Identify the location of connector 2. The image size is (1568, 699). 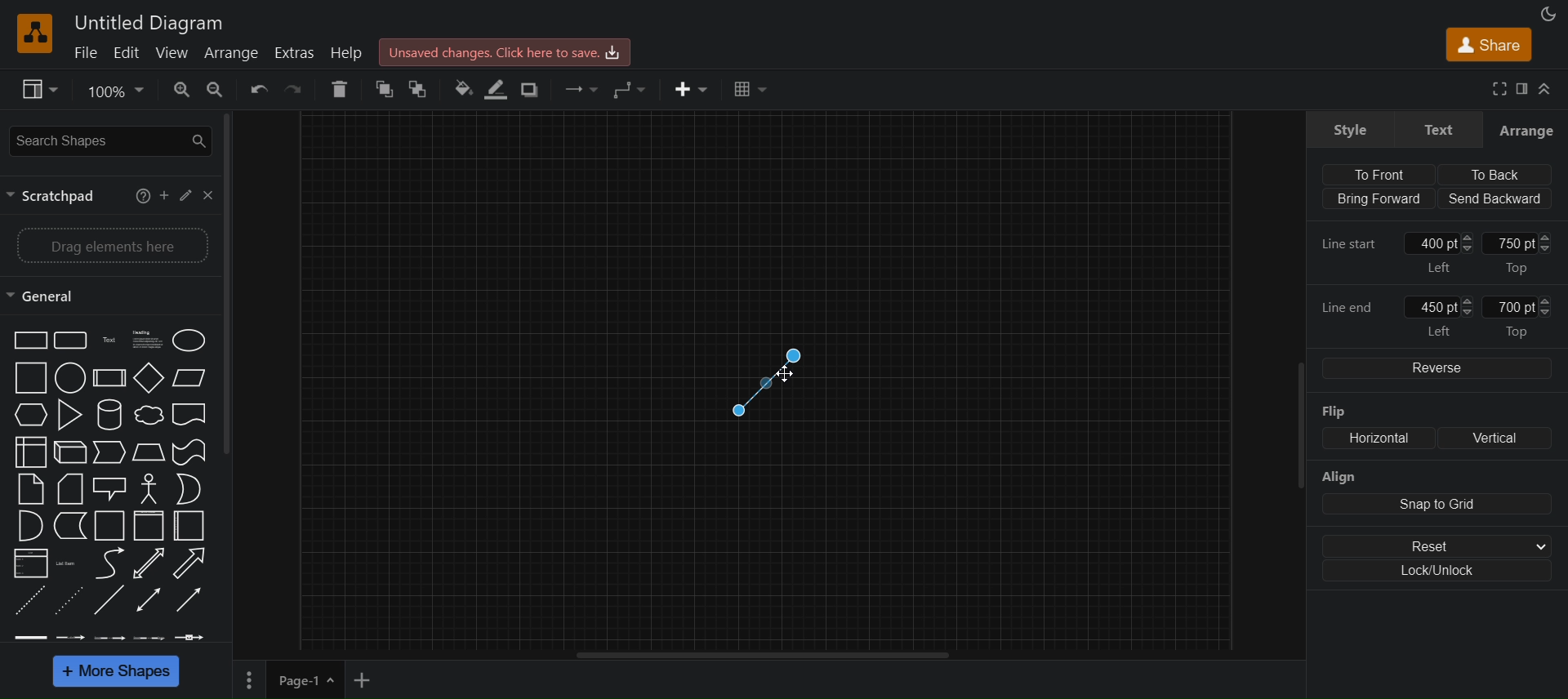
(72, 638).